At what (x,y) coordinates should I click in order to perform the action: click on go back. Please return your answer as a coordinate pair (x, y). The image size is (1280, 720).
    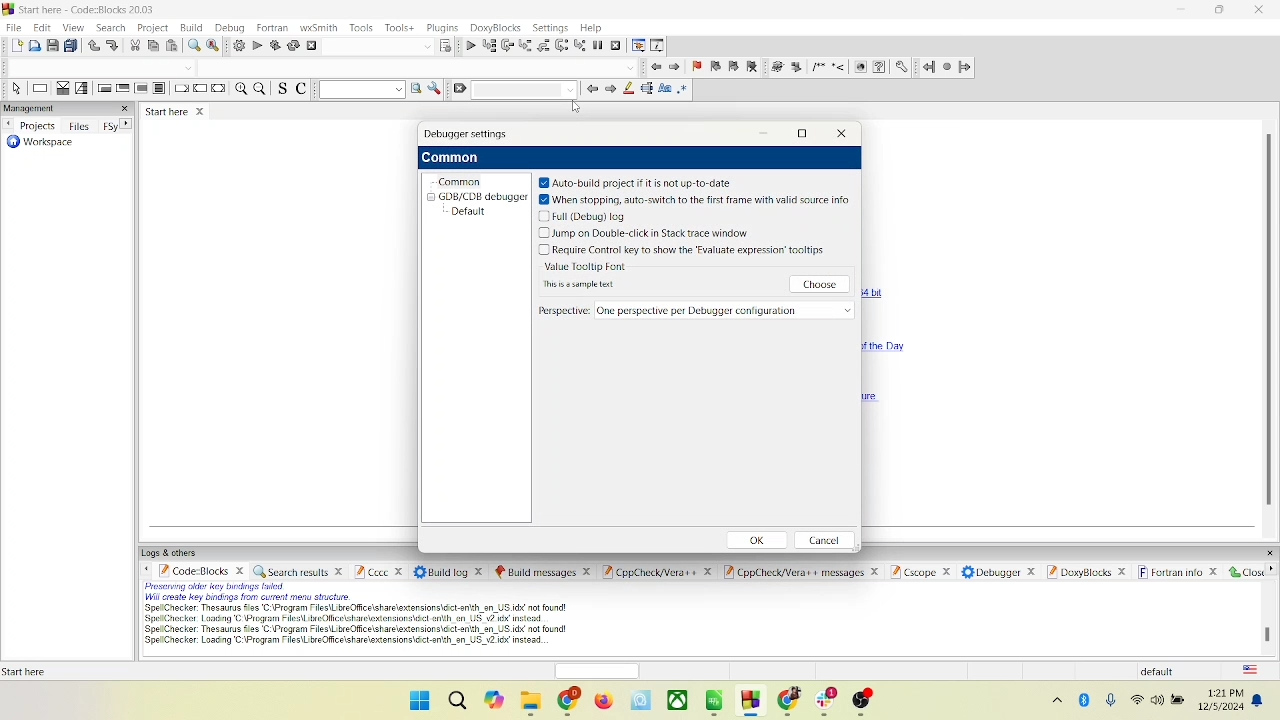
    Looking at the image, I should click on (592, 91).